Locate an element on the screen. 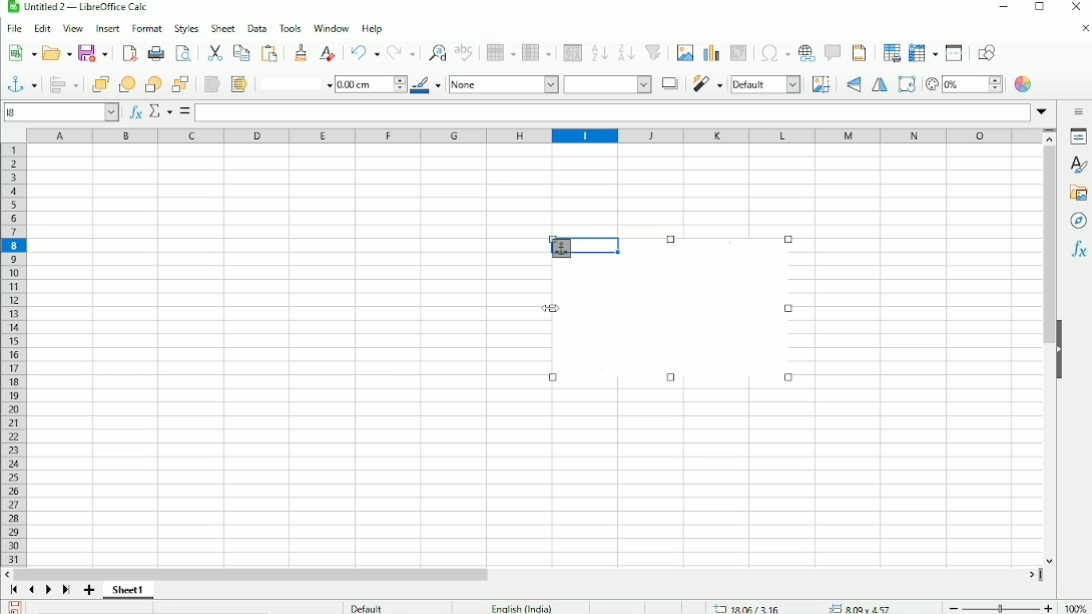  Zoom factor is located at coordinates (1073, 606).